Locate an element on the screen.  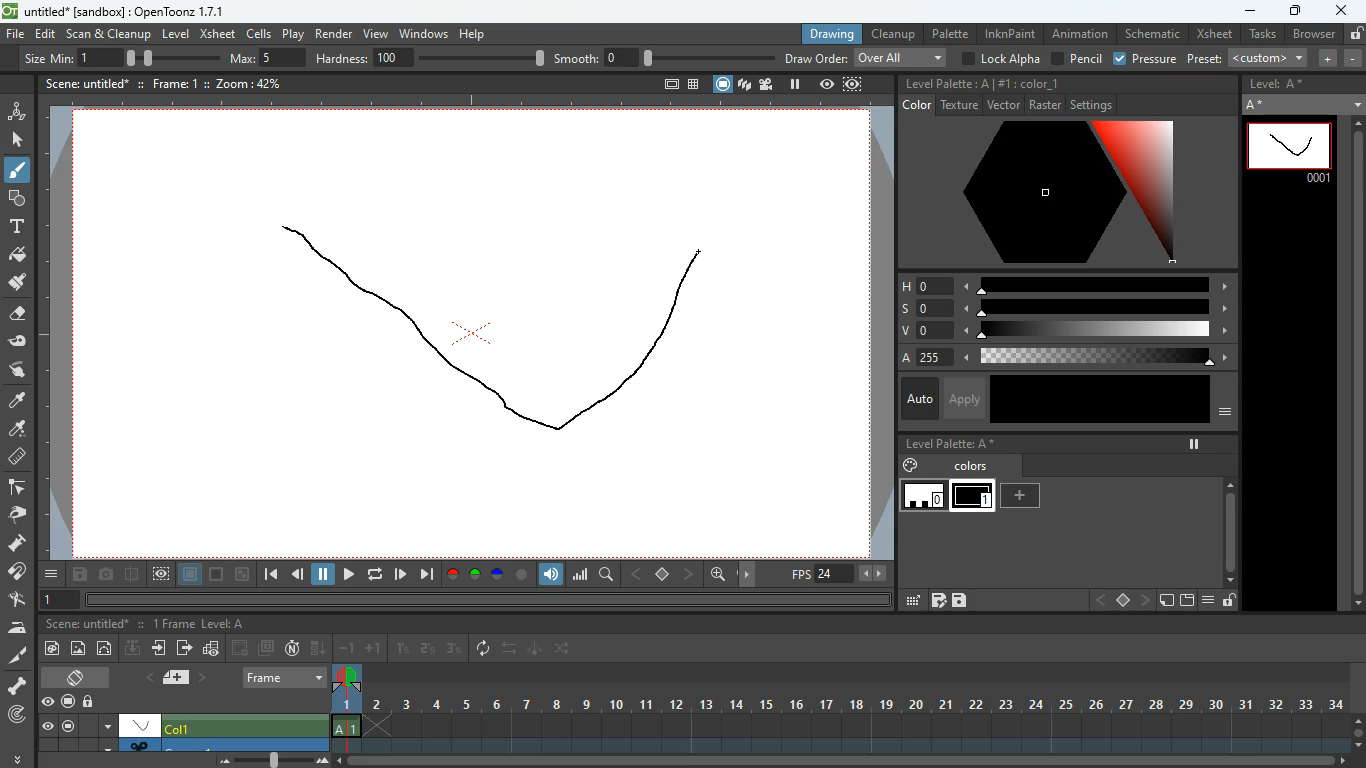
file is located at coordinates (15, 35).